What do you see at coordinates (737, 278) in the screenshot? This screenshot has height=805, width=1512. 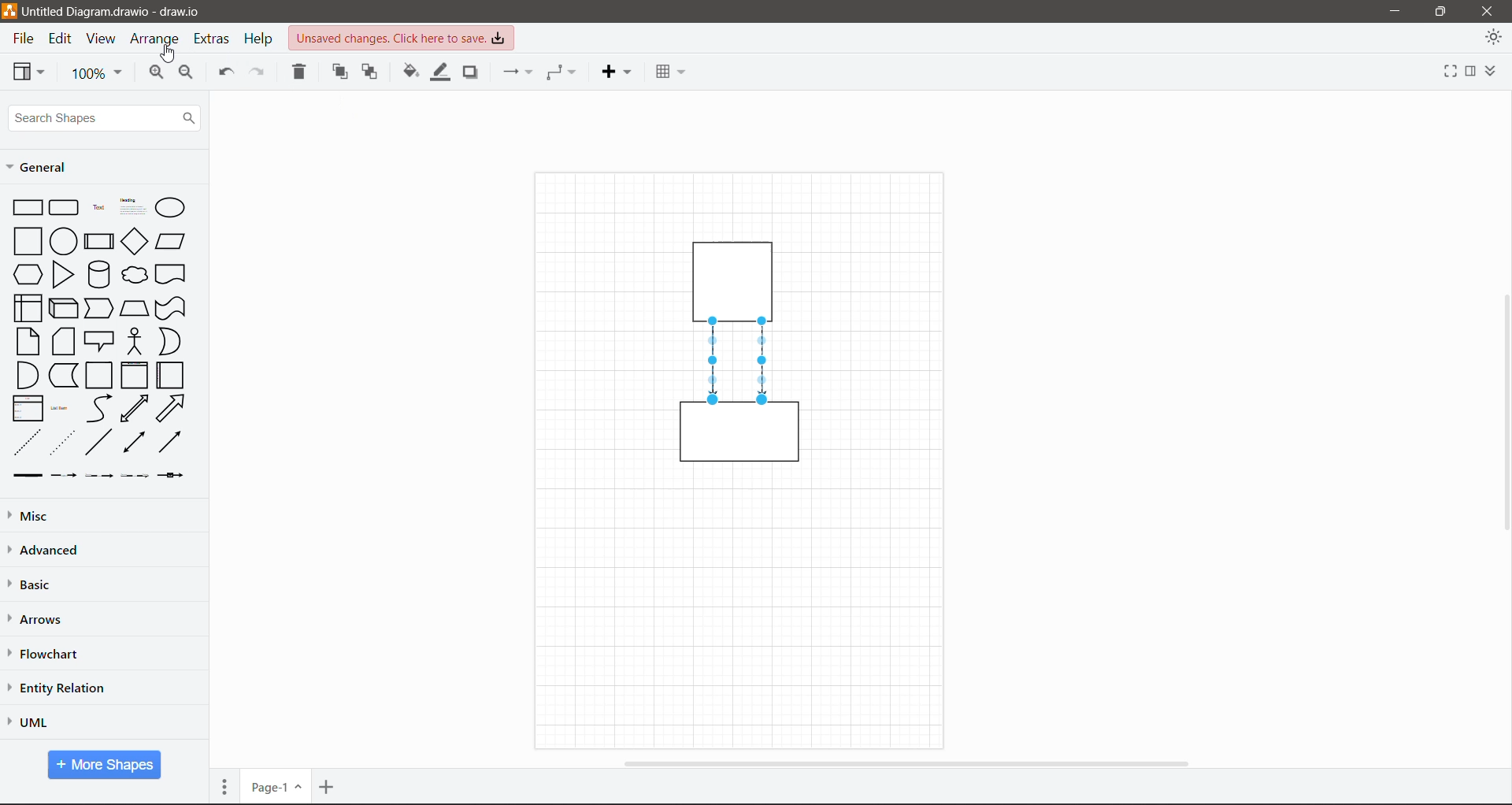 I see `container` at bounding box center [737, 278].